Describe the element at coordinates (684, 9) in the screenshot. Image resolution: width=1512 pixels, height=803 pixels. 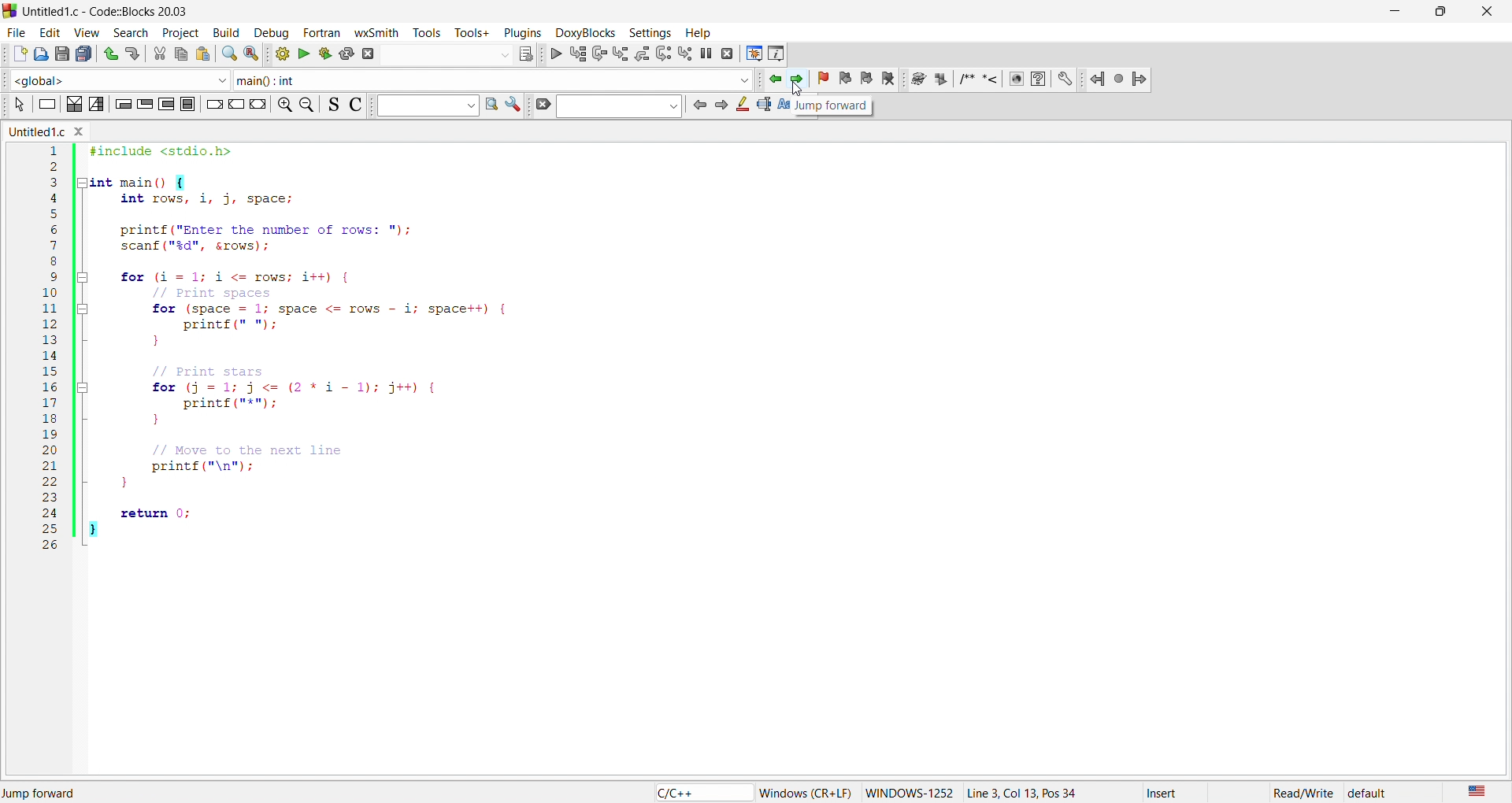
I see `title bar - Untitled1.c-Code::Blocks 20.03` at that location.